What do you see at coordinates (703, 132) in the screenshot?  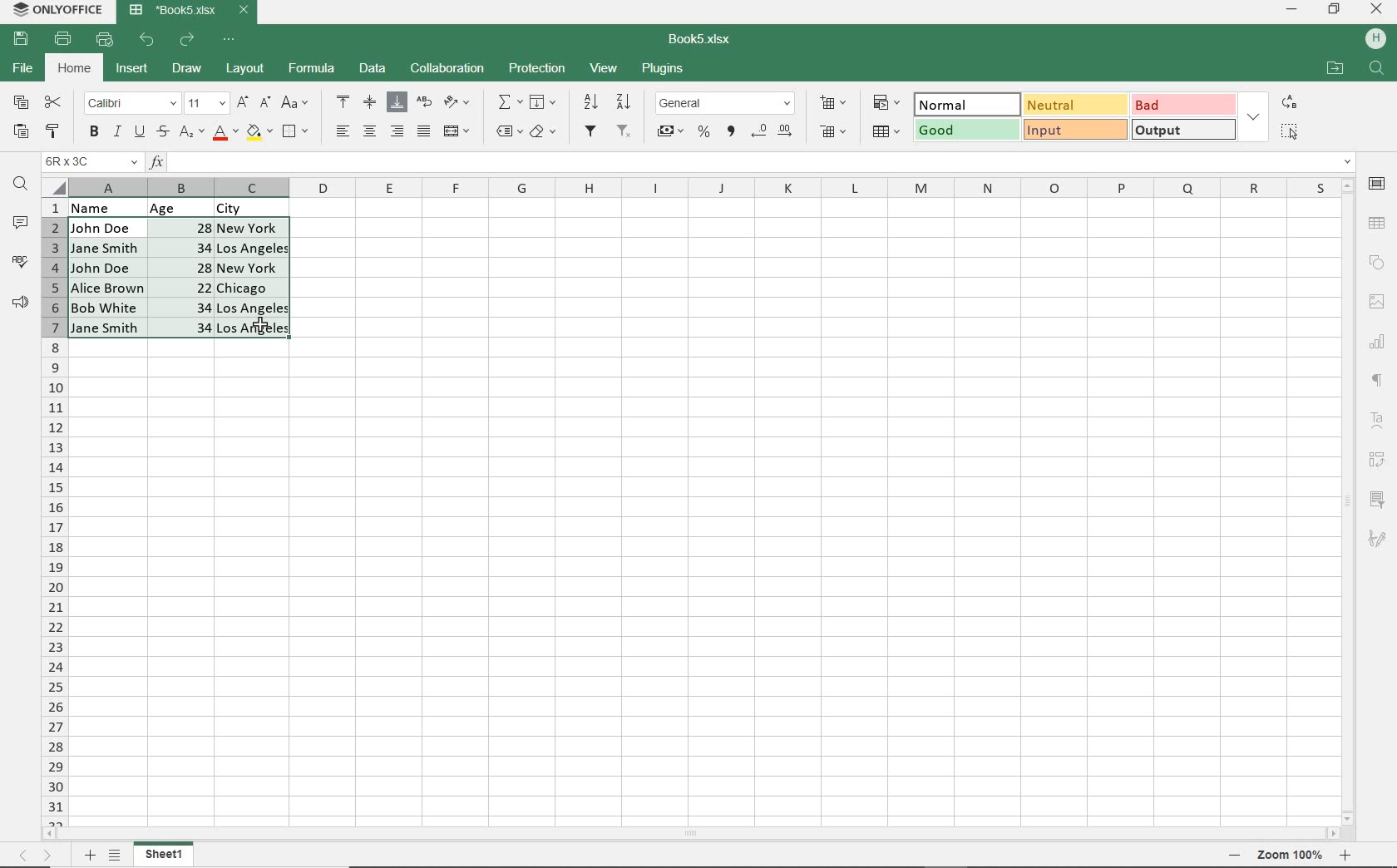 I see `PERCENT STYLE` at bounding box center [703, 132].